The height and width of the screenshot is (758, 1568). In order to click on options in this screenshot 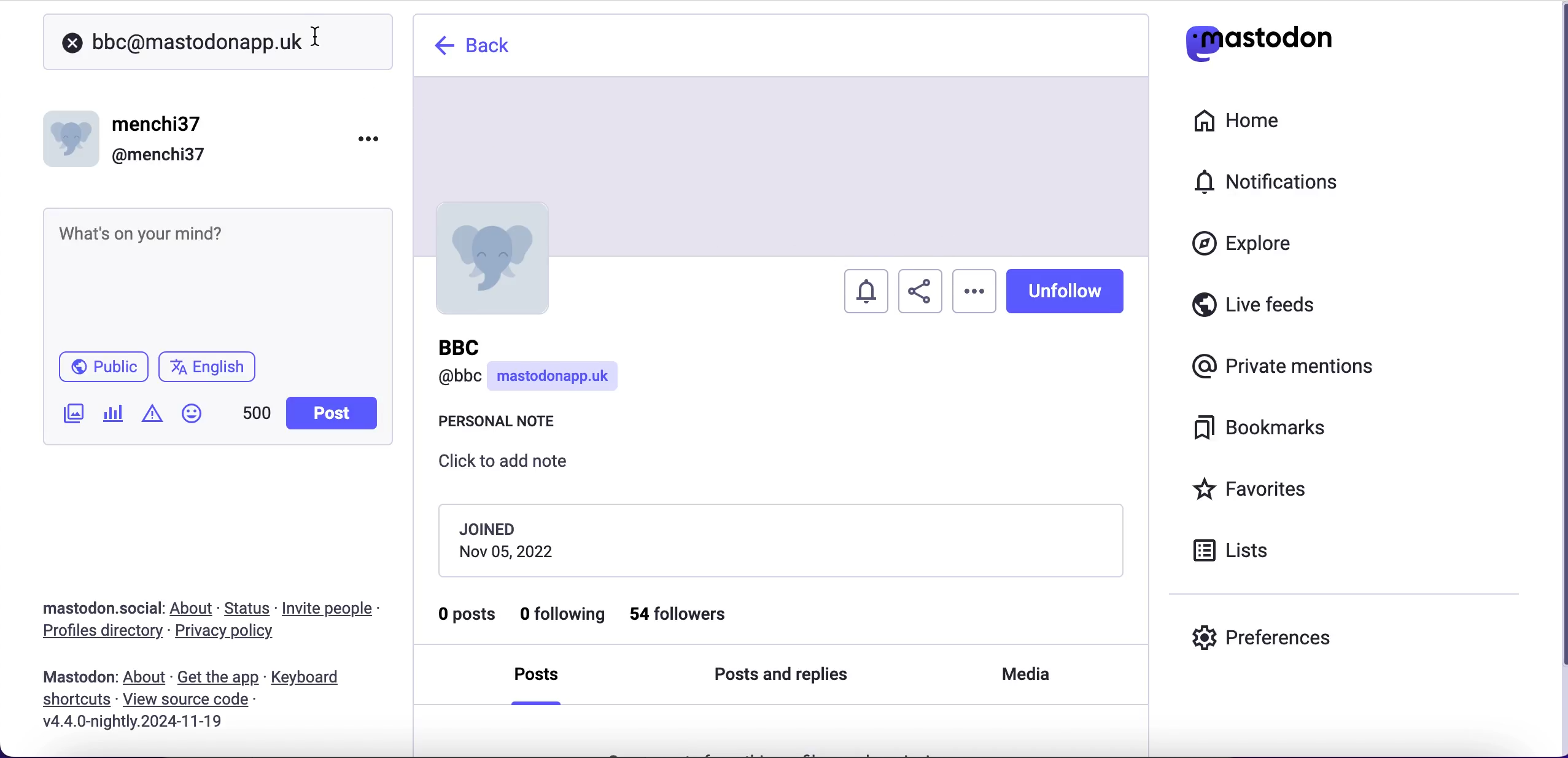, I will do `click(974, 291)`.